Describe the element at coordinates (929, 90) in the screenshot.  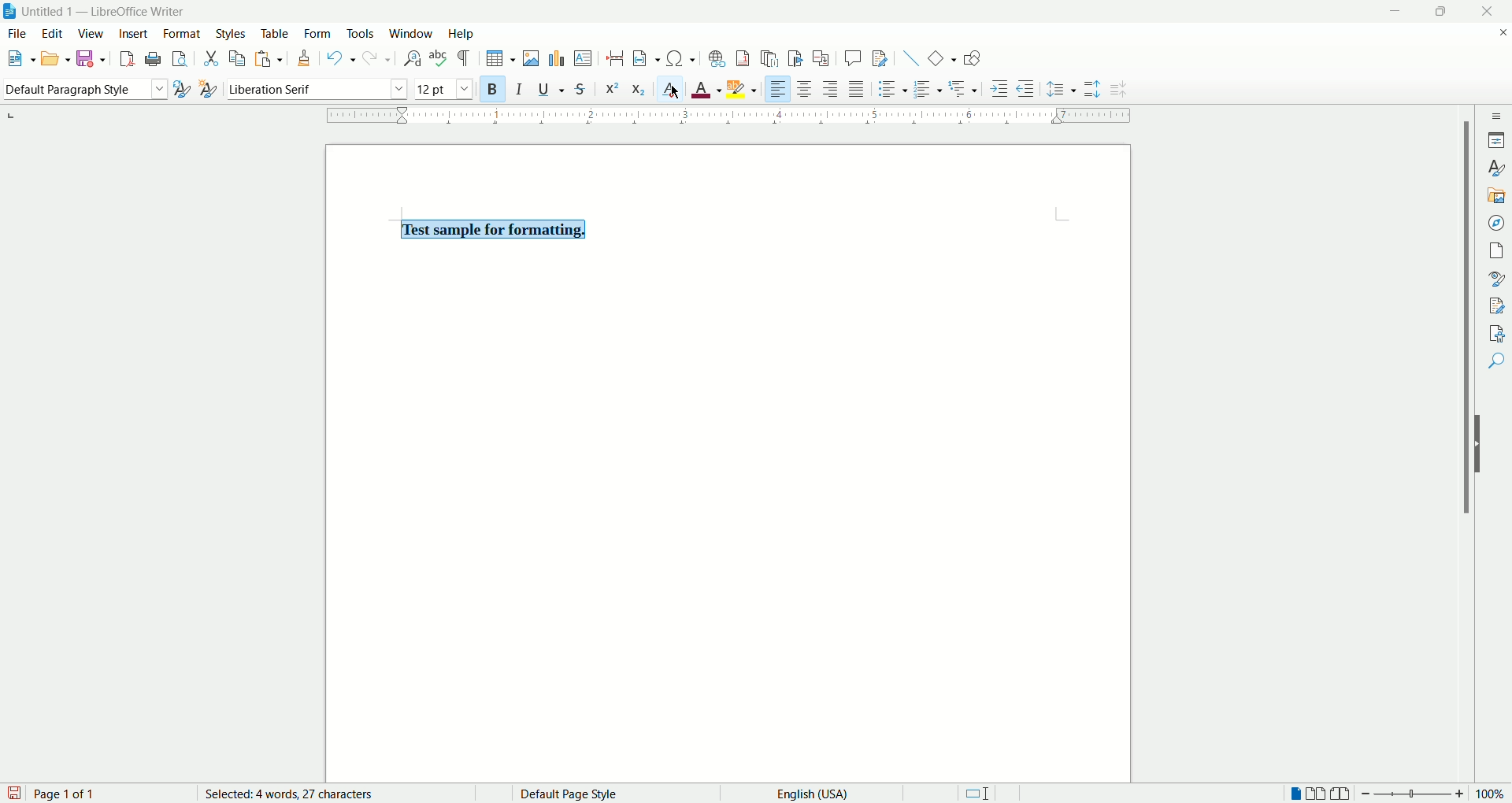
I see `ordered list` at that location.